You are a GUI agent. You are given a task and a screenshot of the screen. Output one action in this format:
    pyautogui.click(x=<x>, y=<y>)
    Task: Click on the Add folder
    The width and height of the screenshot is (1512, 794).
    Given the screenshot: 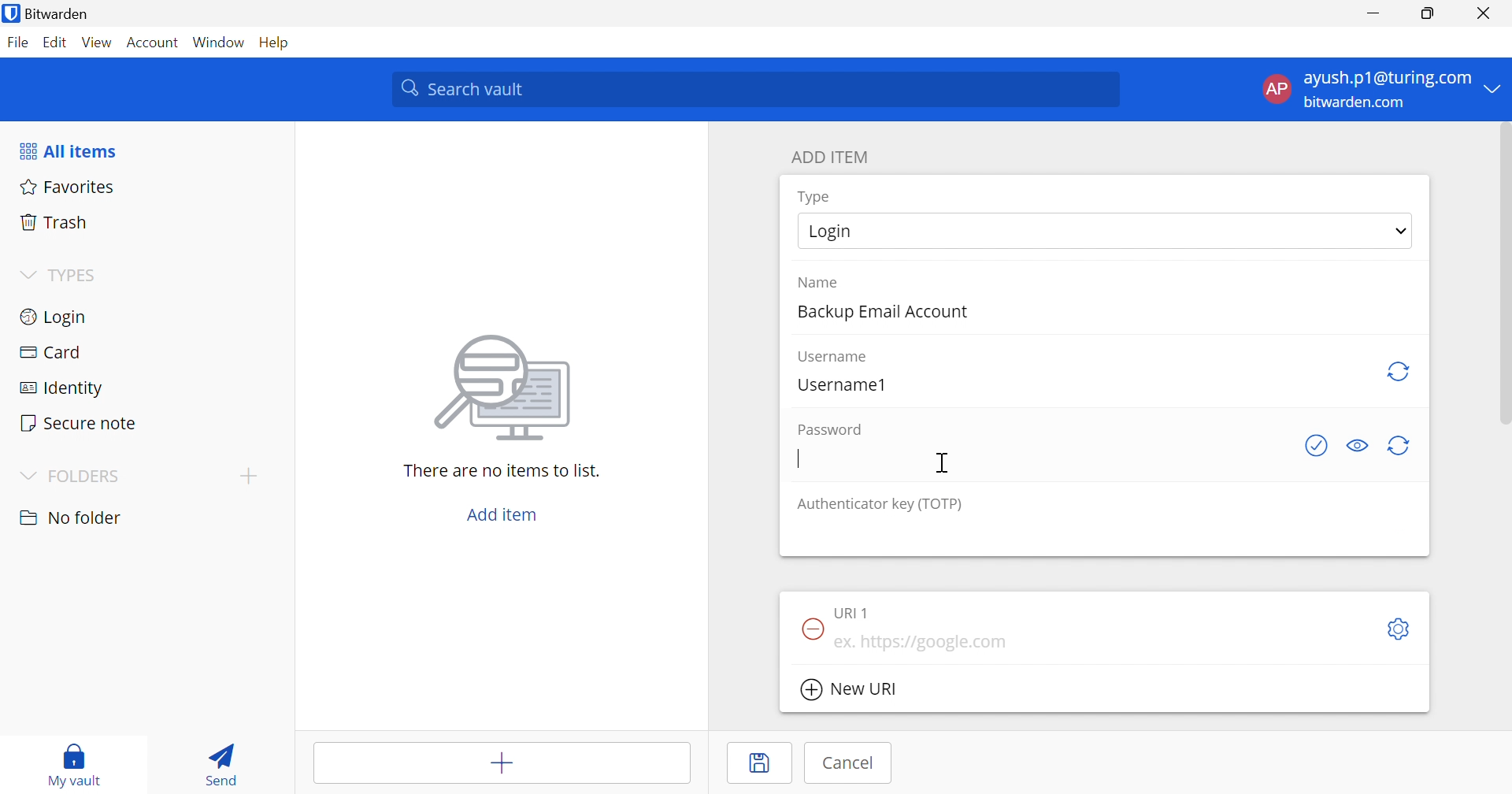 What is the action you would take?
    pyautogui.click(x=249, y=477)
    